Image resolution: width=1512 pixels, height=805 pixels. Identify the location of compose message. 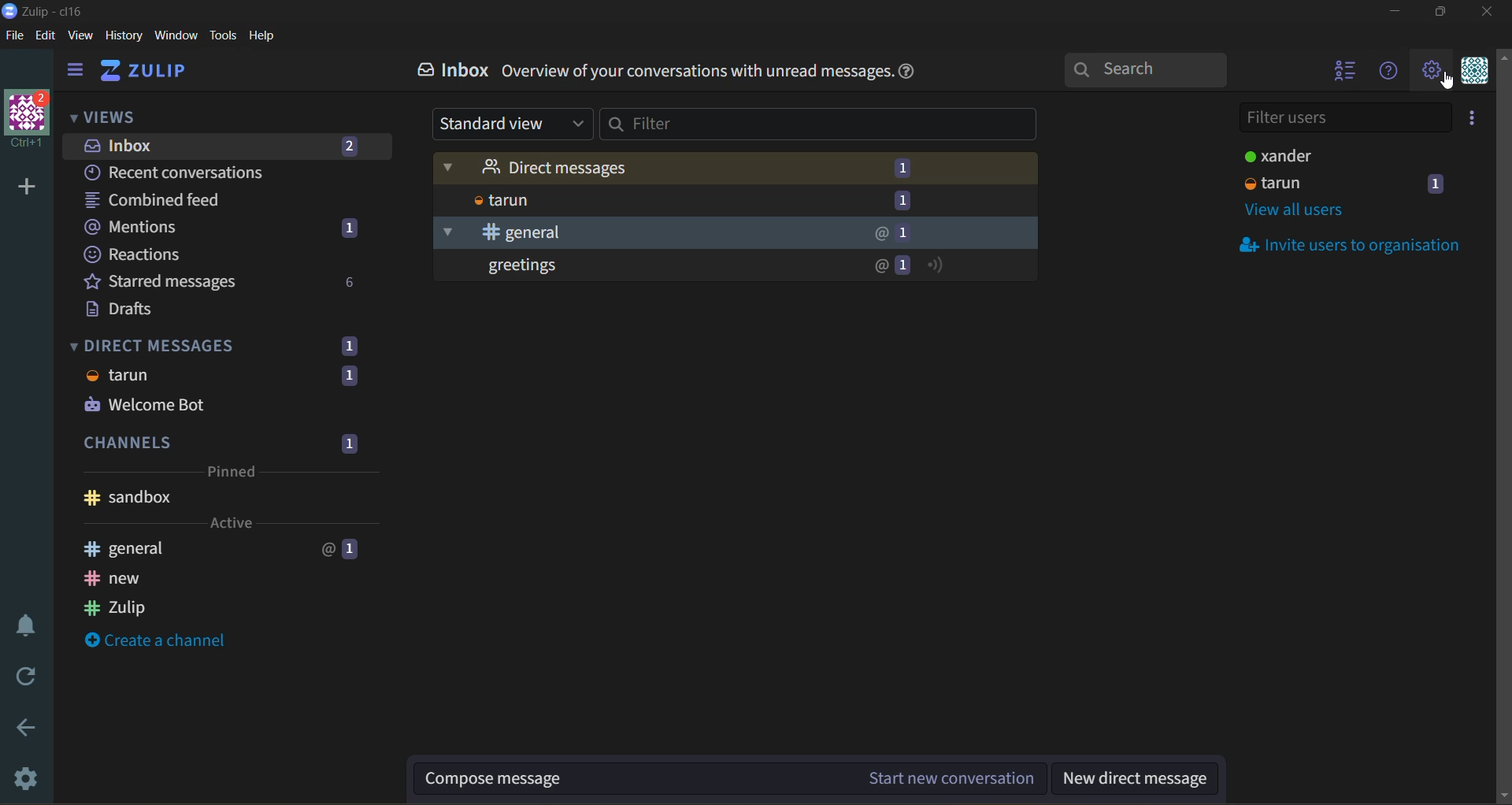
(721, 785).